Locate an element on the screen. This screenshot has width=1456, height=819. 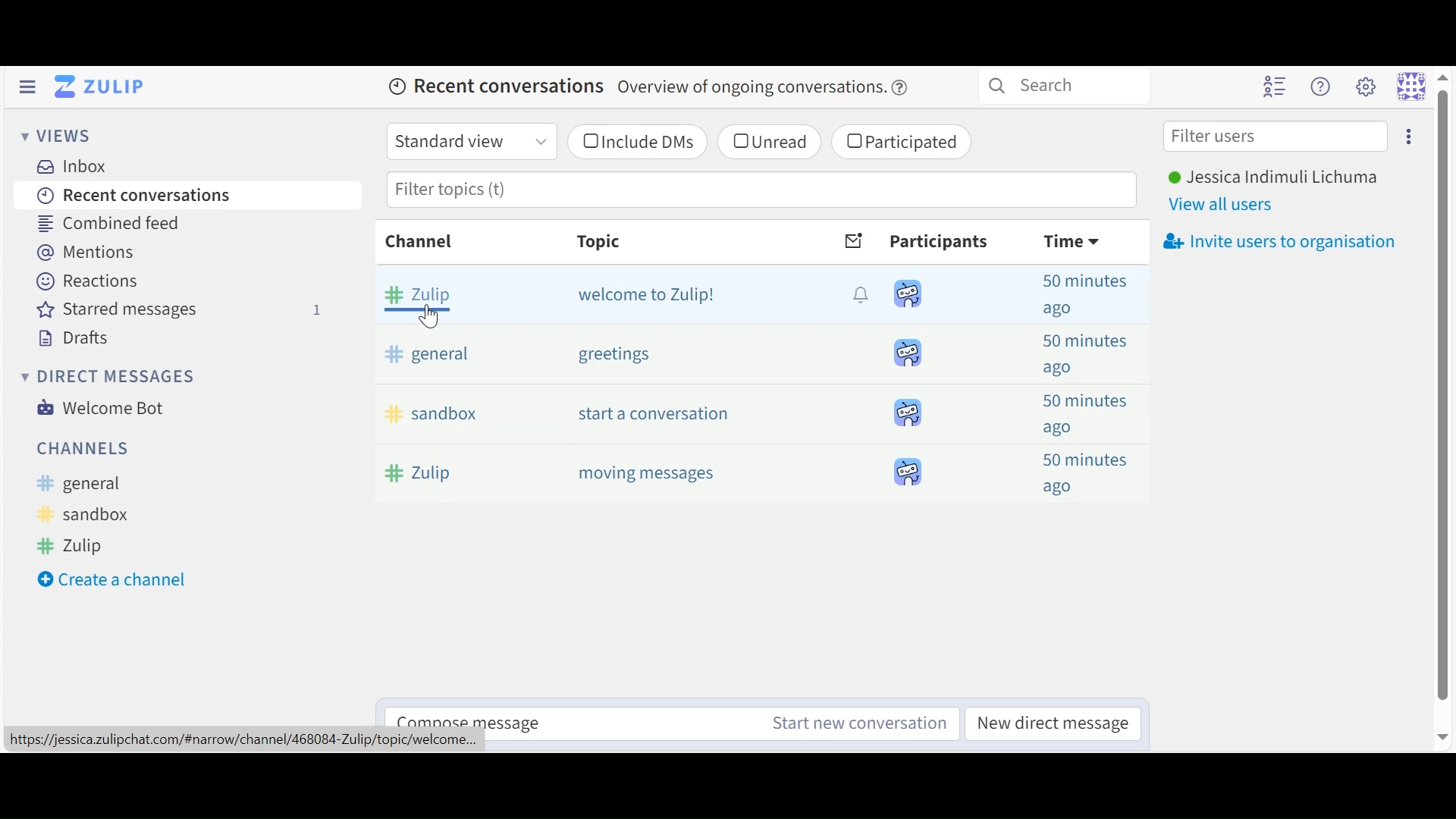
Time is located at coordinates (1073, 242).